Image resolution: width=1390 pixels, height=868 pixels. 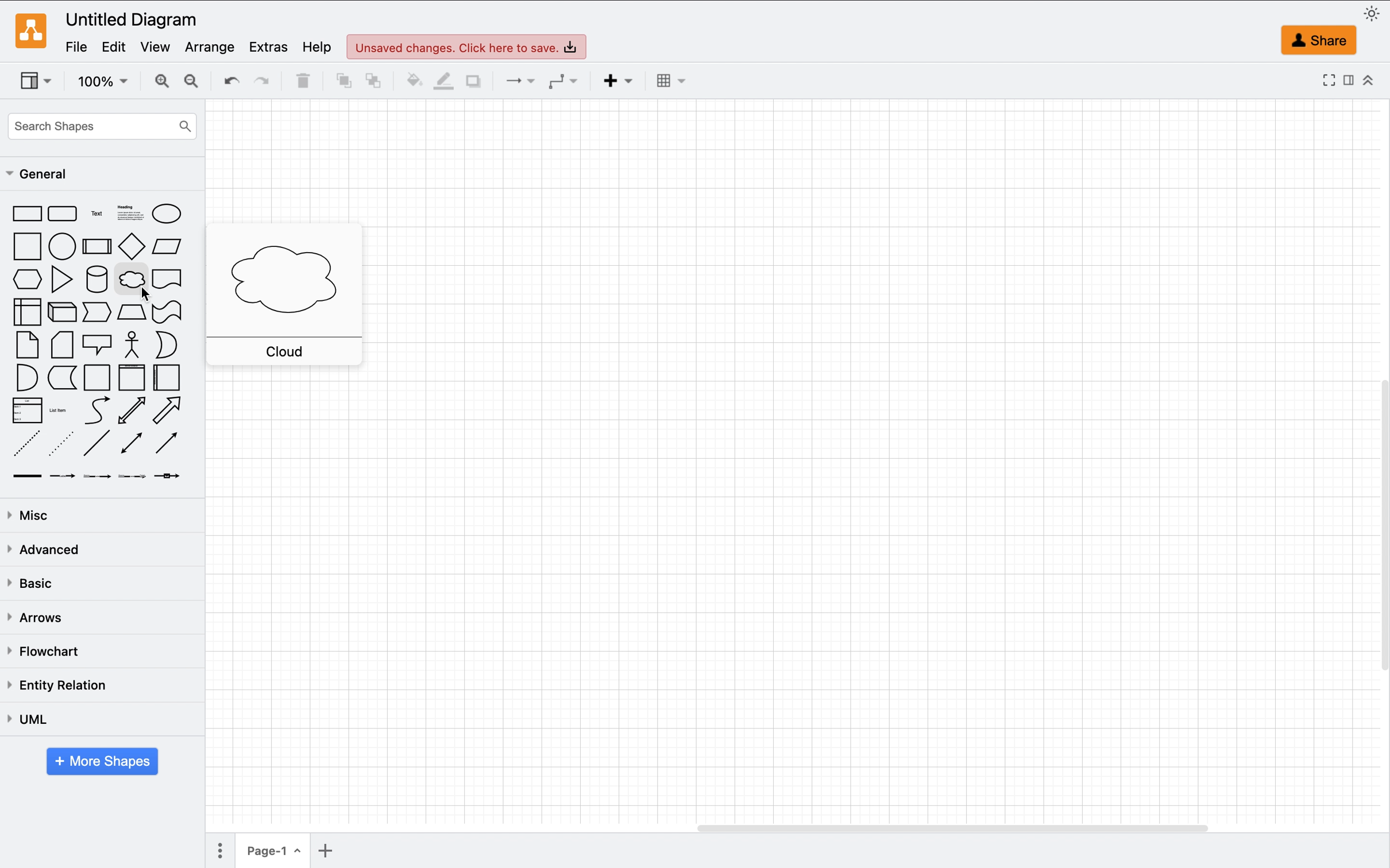 I want to click on date storage, so click(x=63, y=381).